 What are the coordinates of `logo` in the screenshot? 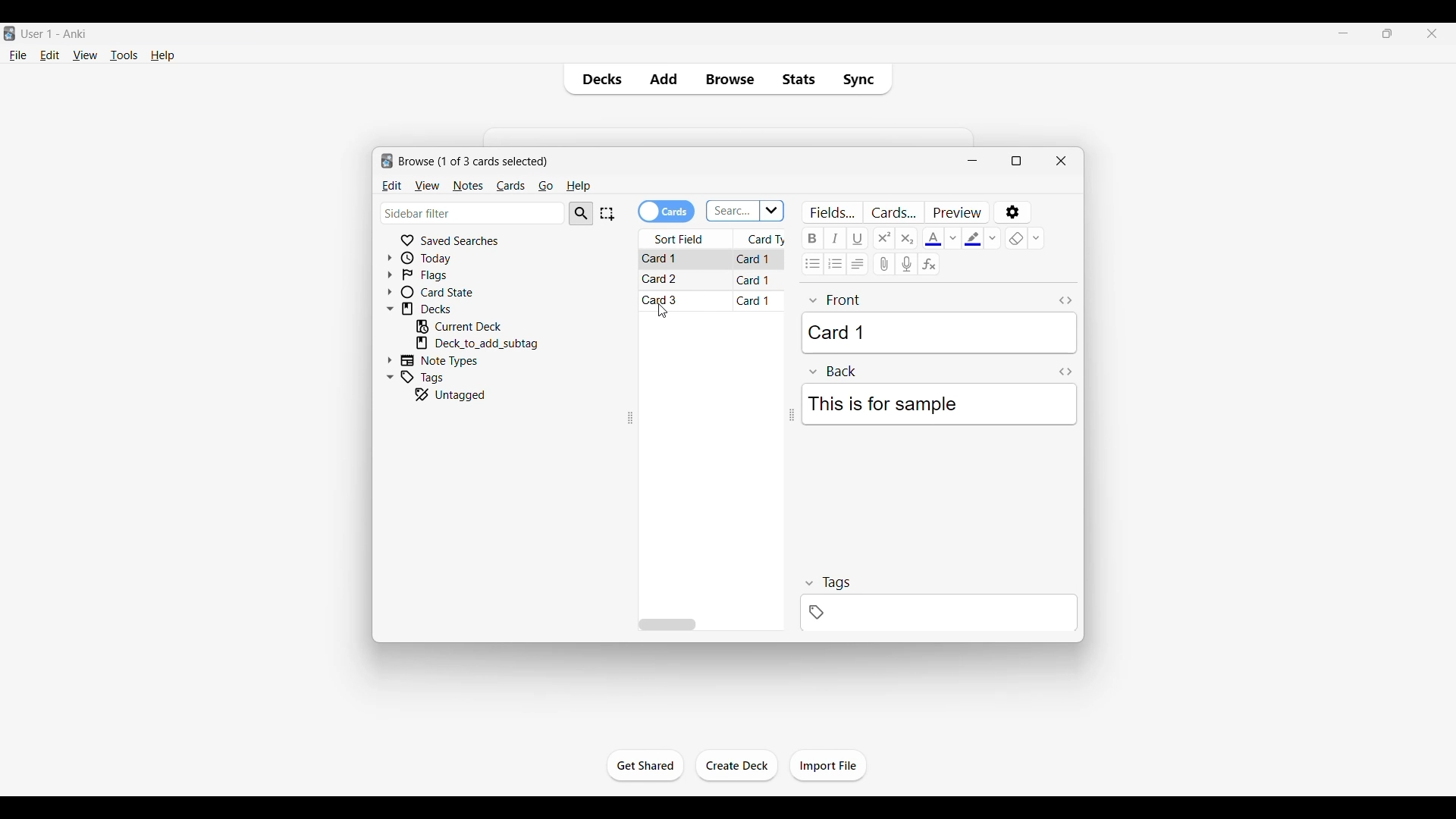 It's located at (385, 162).